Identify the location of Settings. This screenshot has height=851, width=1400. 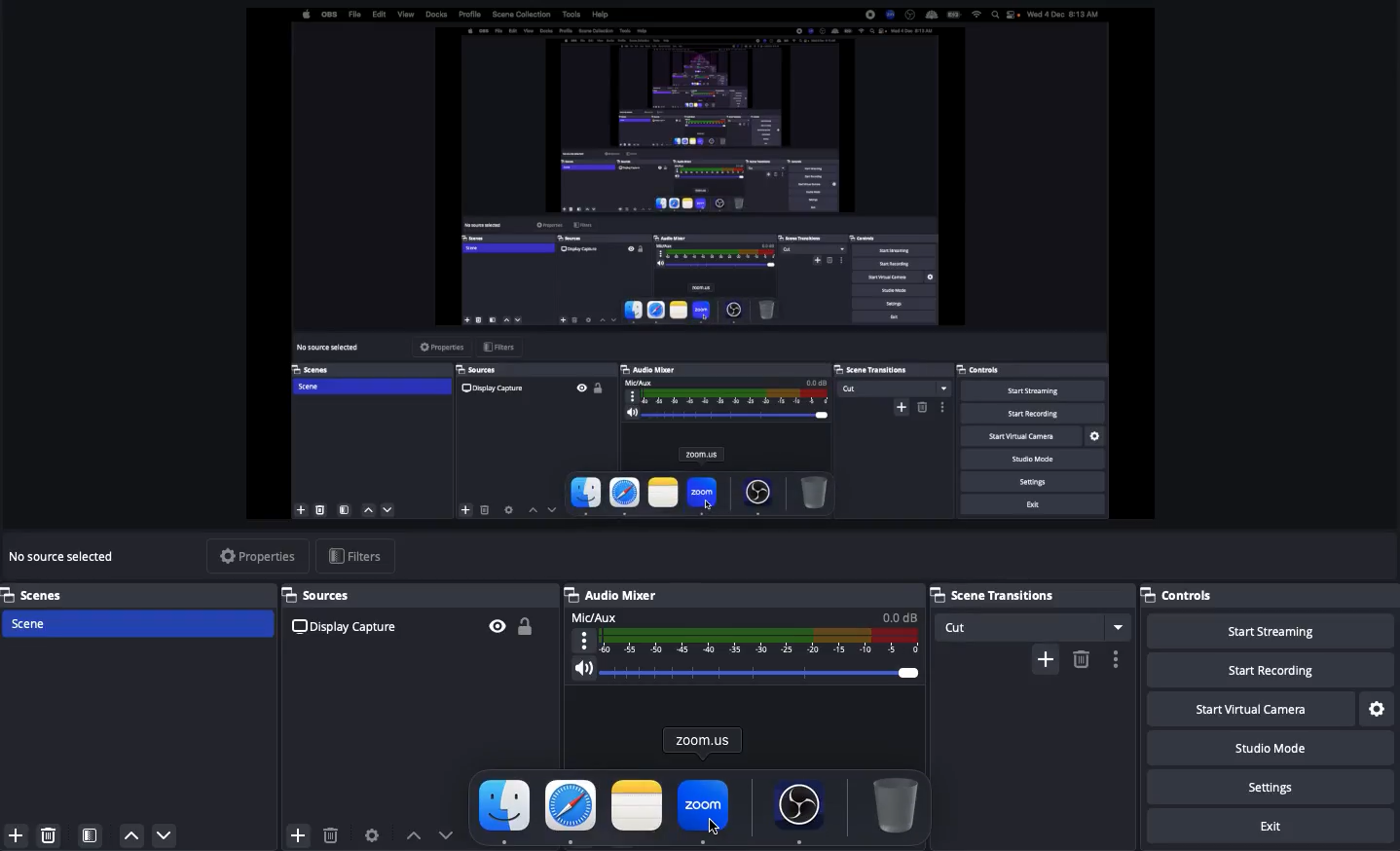
(1376, 706).